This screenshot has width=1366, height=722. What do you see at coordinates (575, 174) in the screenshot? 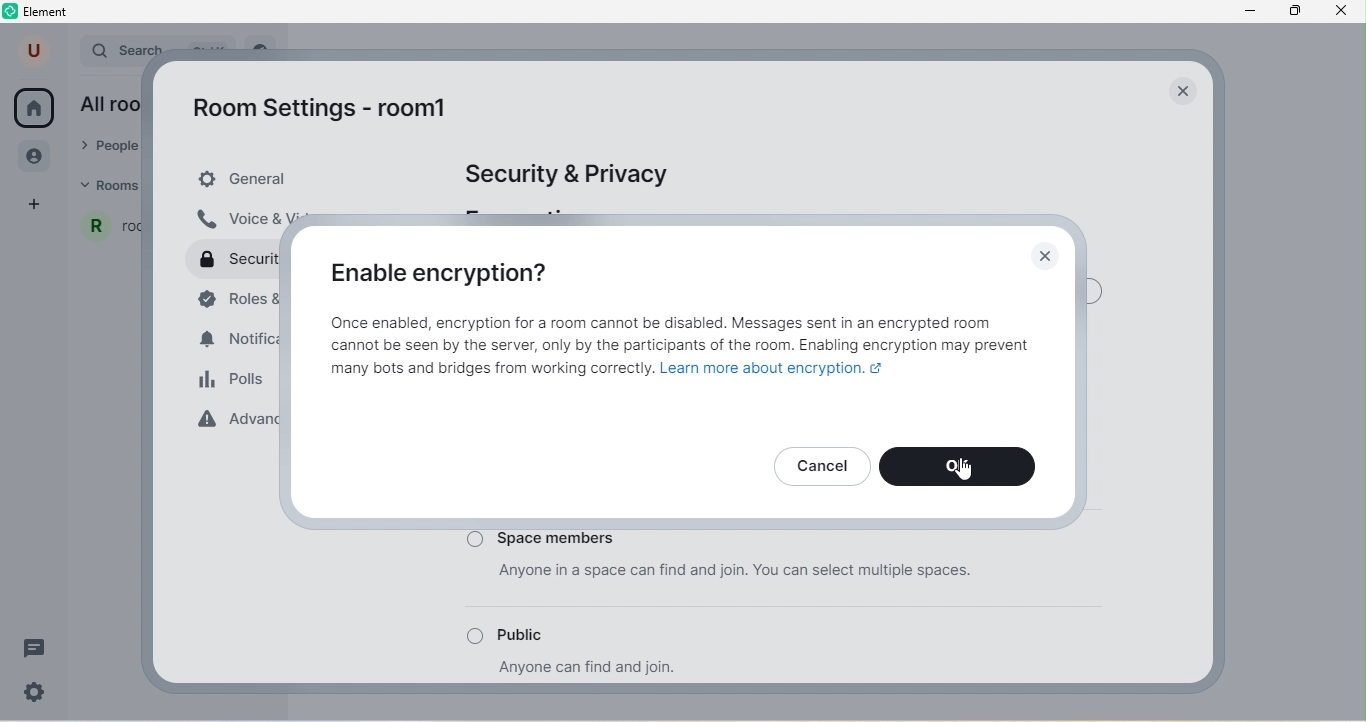
I see `Security & Privacy` at bounding box center [575, 174].